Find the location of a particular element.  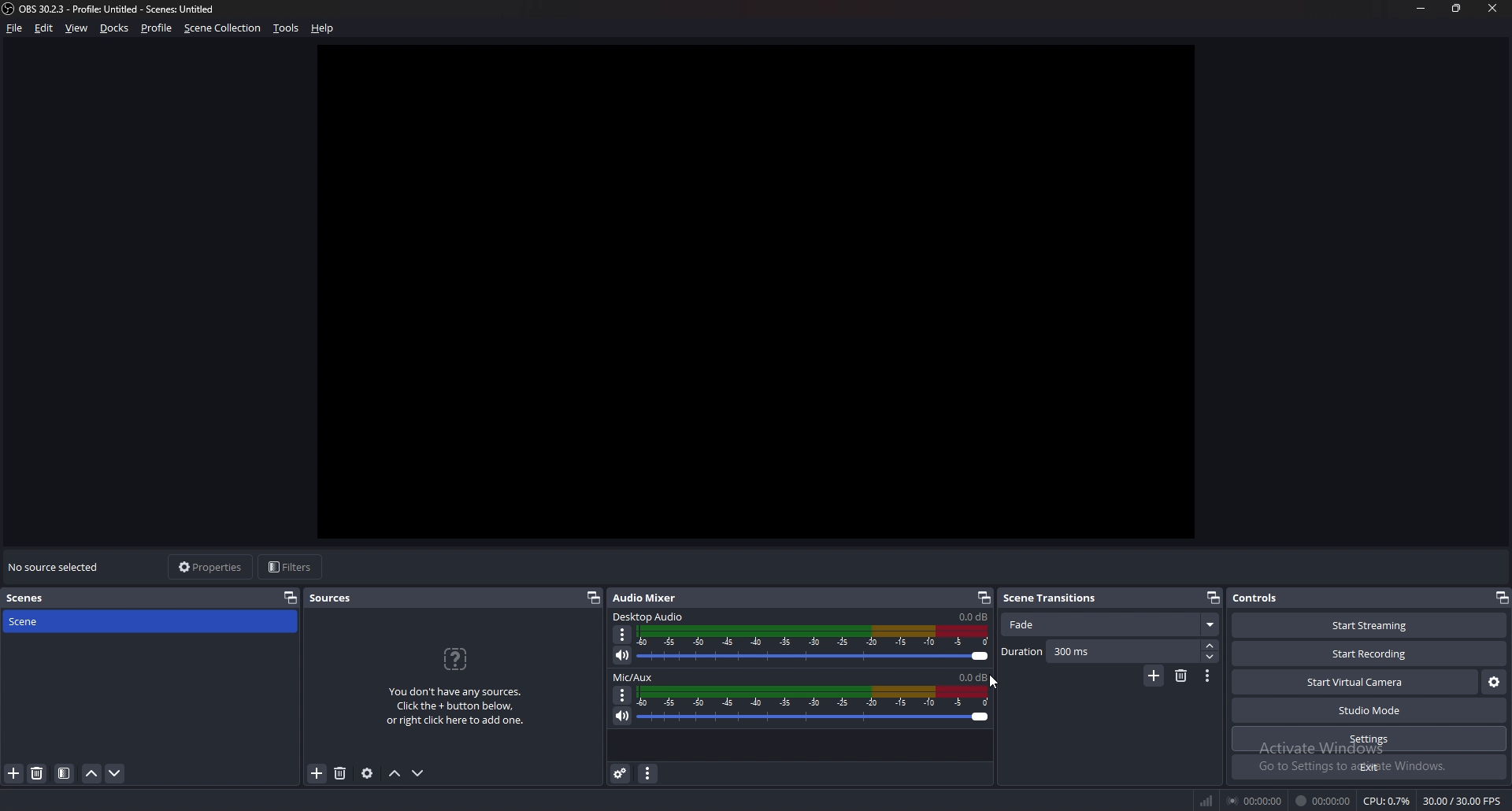

audio bar is located at coordinates (816, 644).